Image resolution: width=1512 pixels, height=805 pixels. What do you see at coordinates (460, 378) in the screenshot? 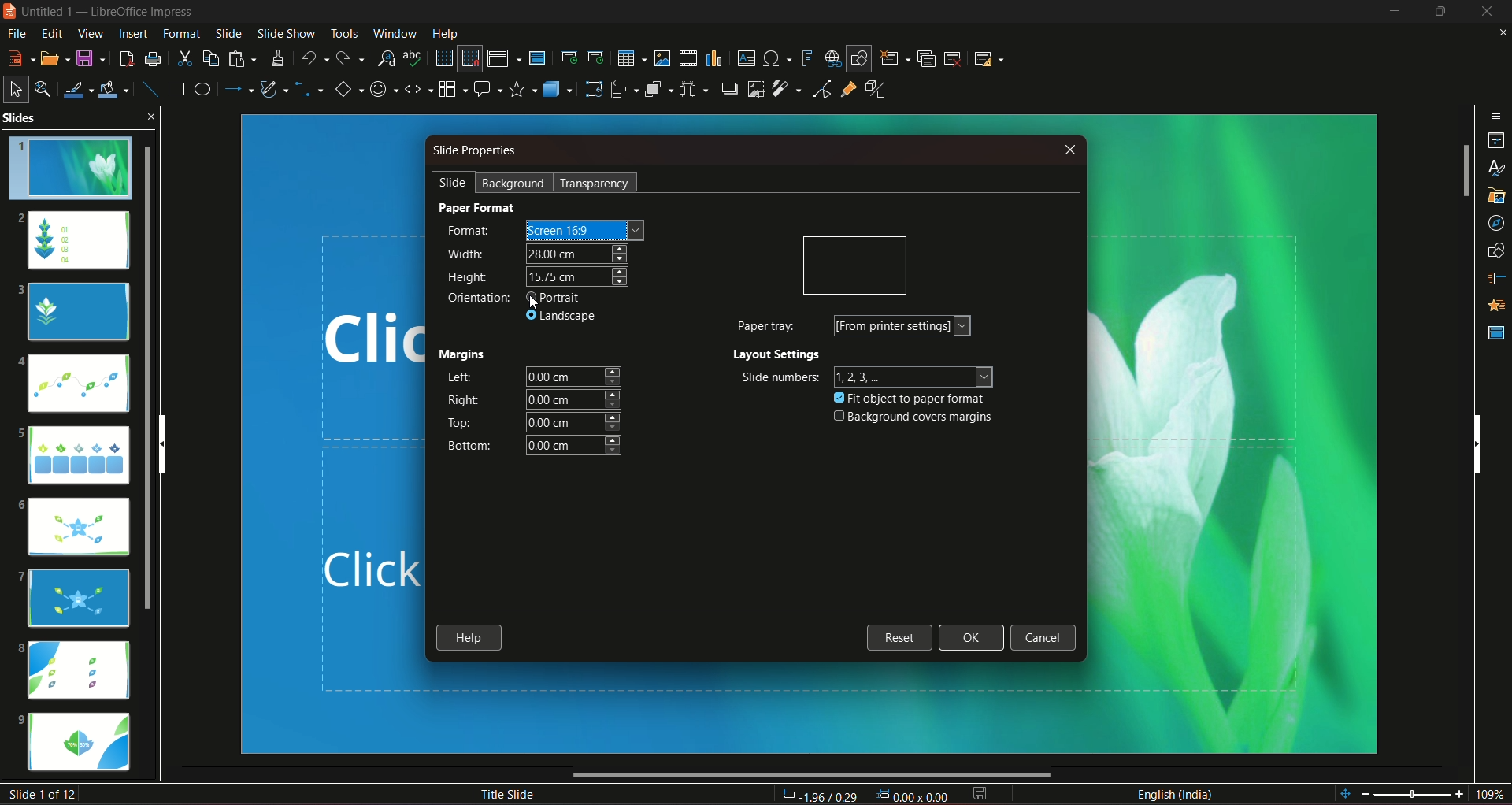
I see `left` at bounding box center [460, 378].